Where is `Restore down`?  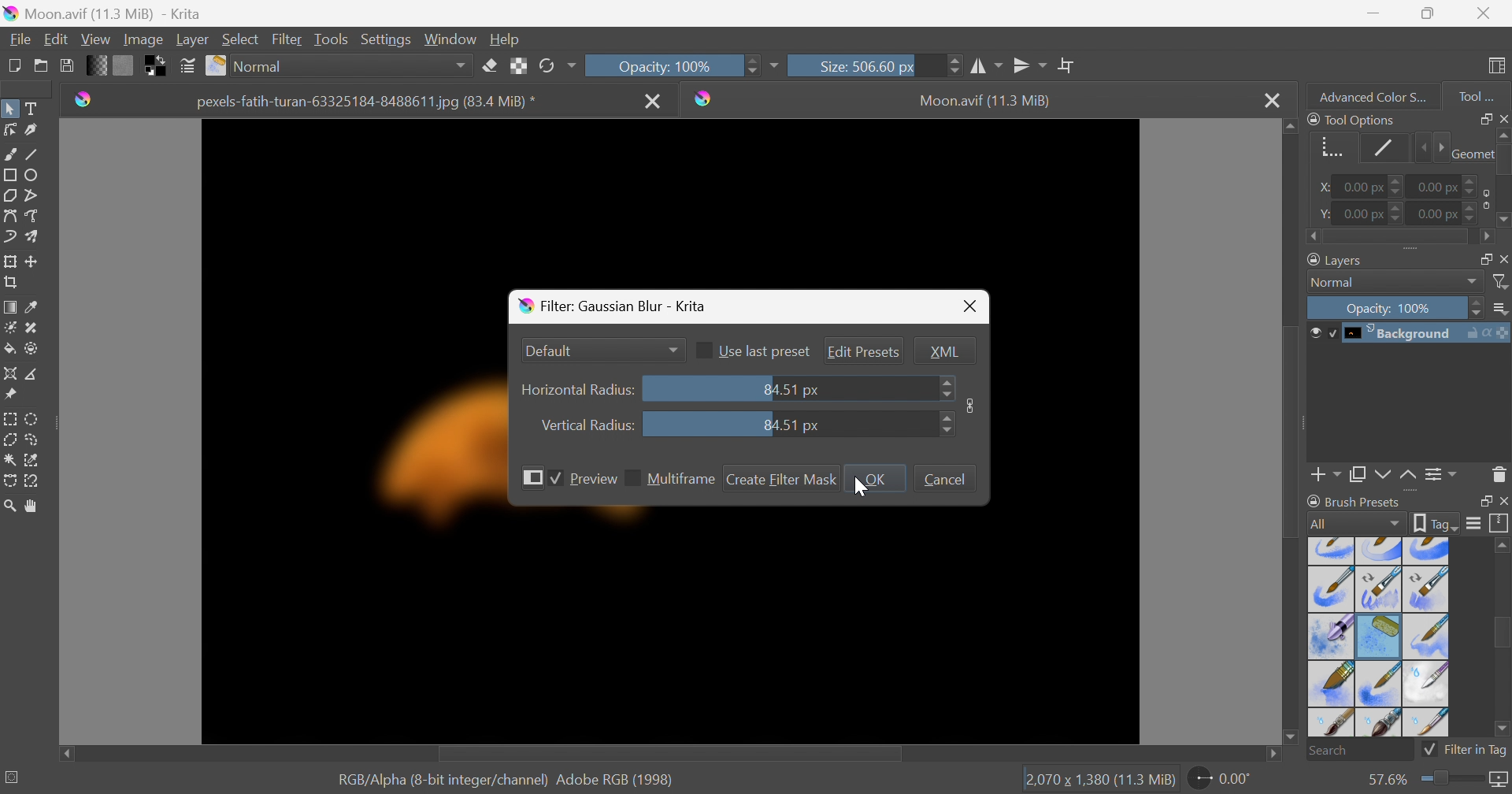 Restore down is located at coordinates (1480, 500).